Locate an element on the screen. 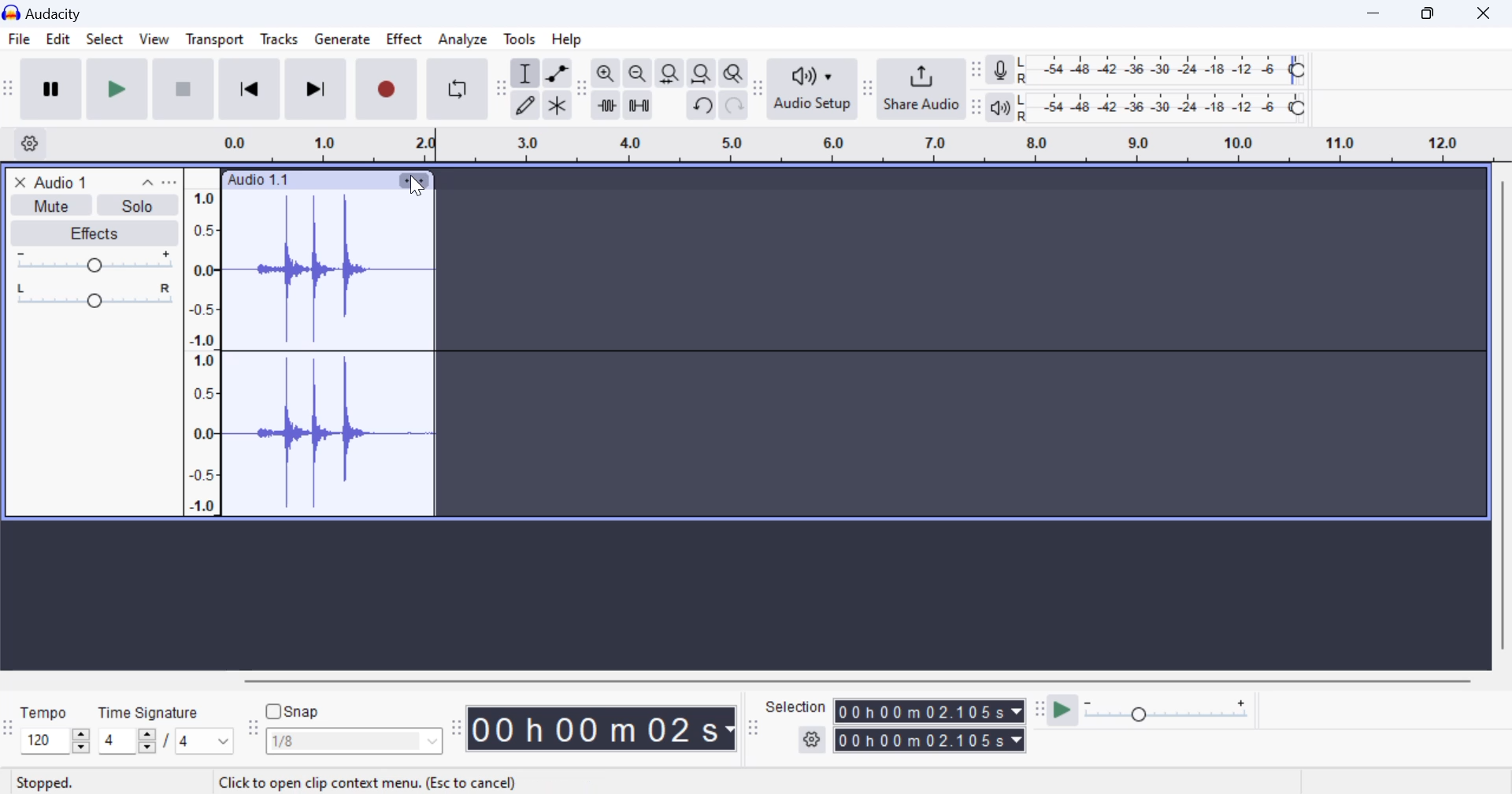 Image resolution: width=1512 pixels, height=794 pixels. vertical scrollbar is located at coordinates (1501, 421).